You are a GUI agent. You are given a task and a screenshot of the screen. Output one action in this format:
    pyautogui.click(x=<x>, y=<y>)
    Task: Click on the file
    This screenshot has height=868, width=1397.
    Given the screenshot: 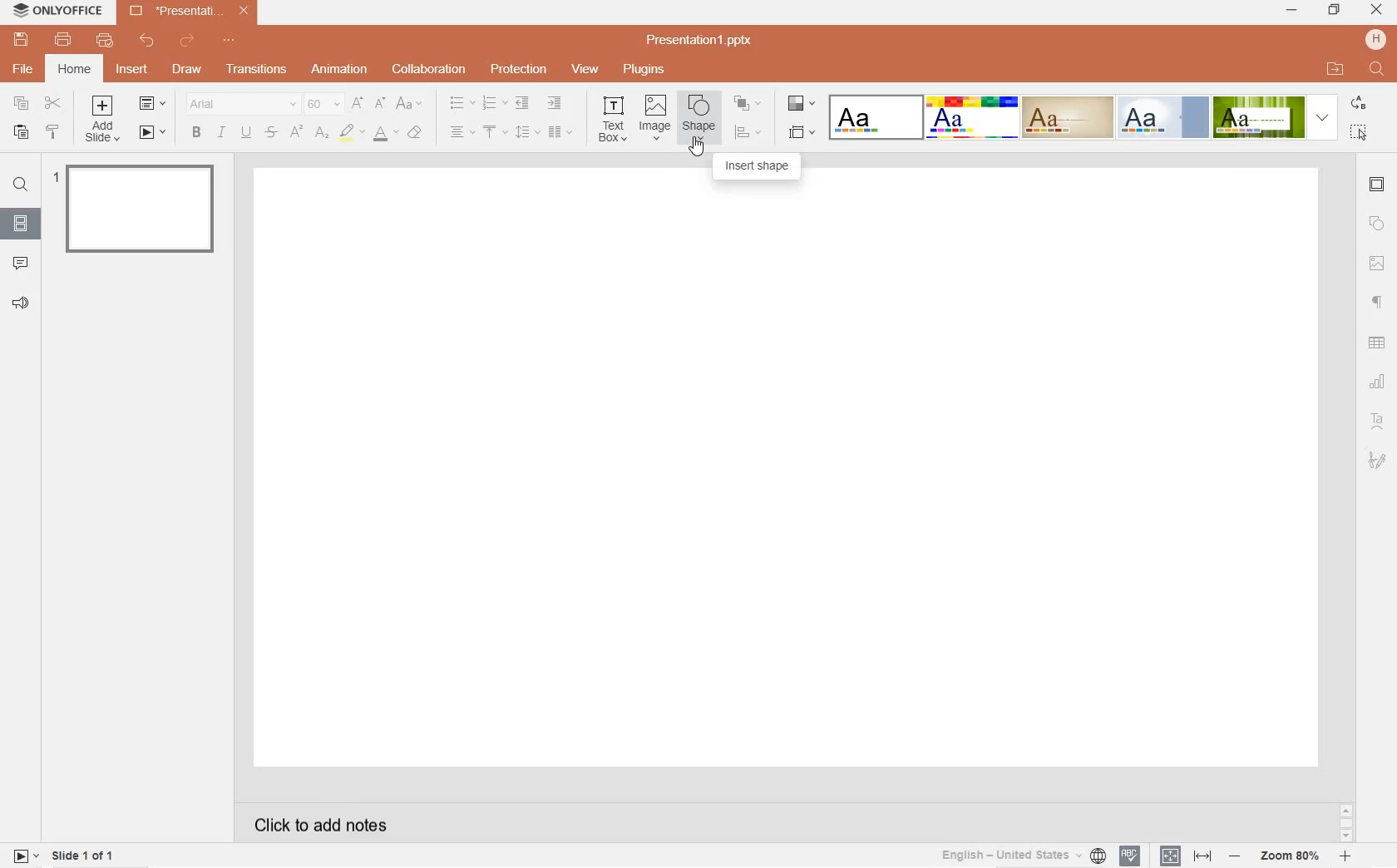 What is the action you would take?
    pyautogui.click(x=24, y=69)
    